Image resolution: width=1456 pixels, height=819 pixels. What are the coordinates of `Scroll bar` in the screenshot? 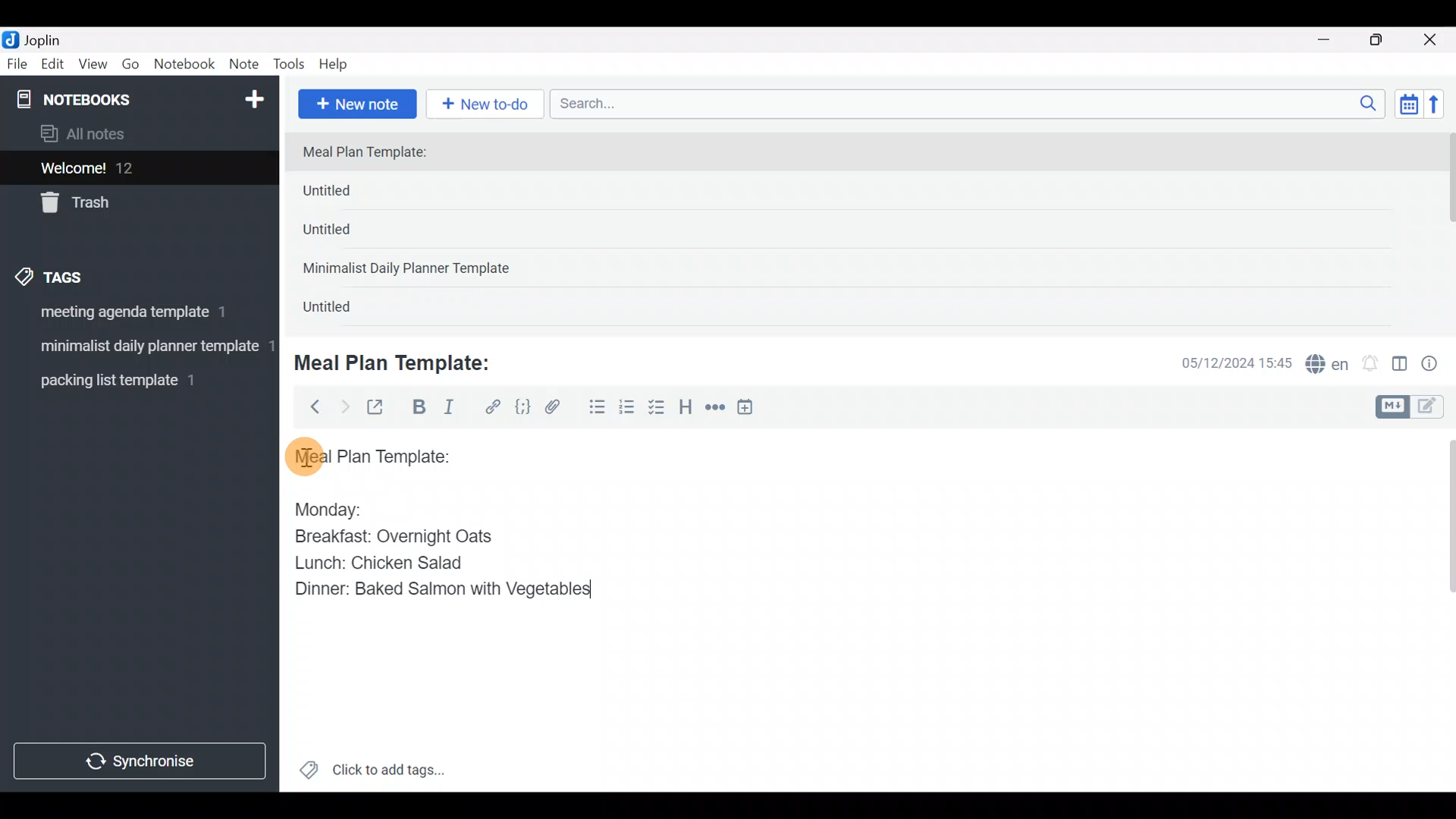 It's located at (1447, 229).